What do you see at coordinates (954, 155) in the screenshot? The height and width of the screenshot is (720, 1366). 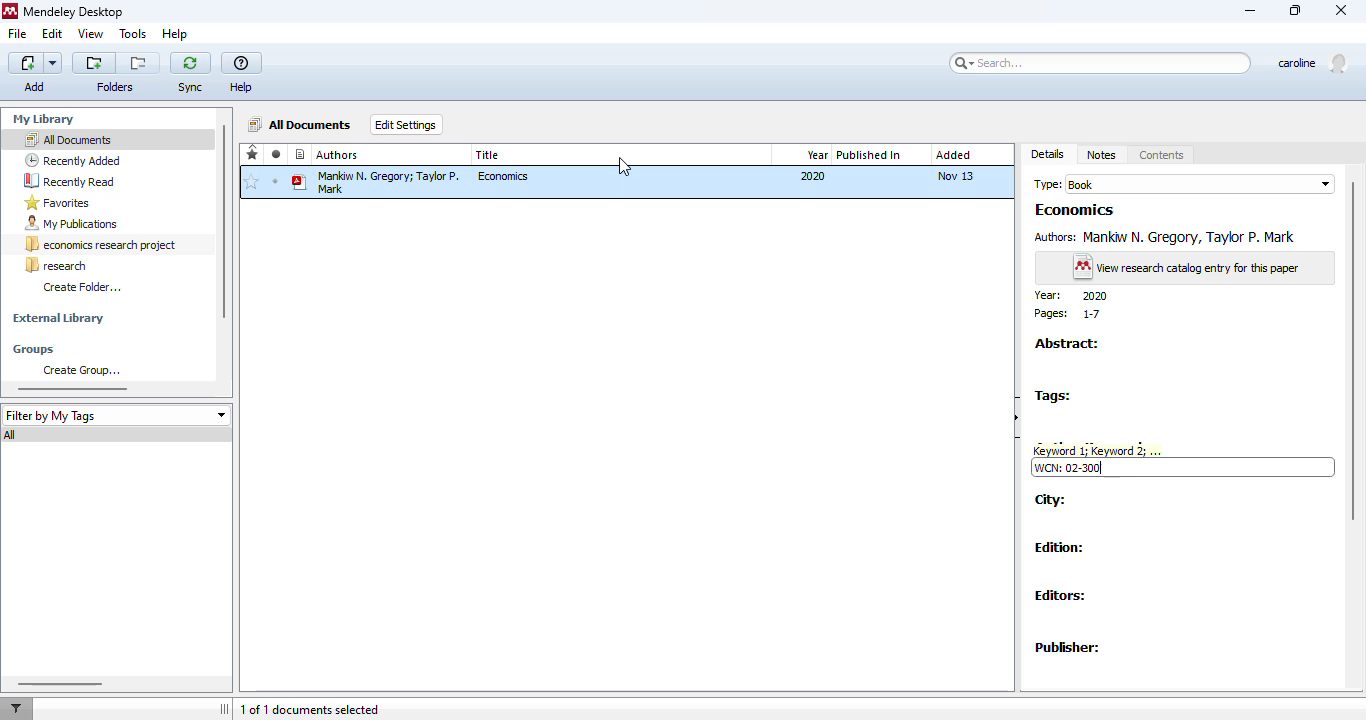 I see `added` at bounding box center [954, 155].